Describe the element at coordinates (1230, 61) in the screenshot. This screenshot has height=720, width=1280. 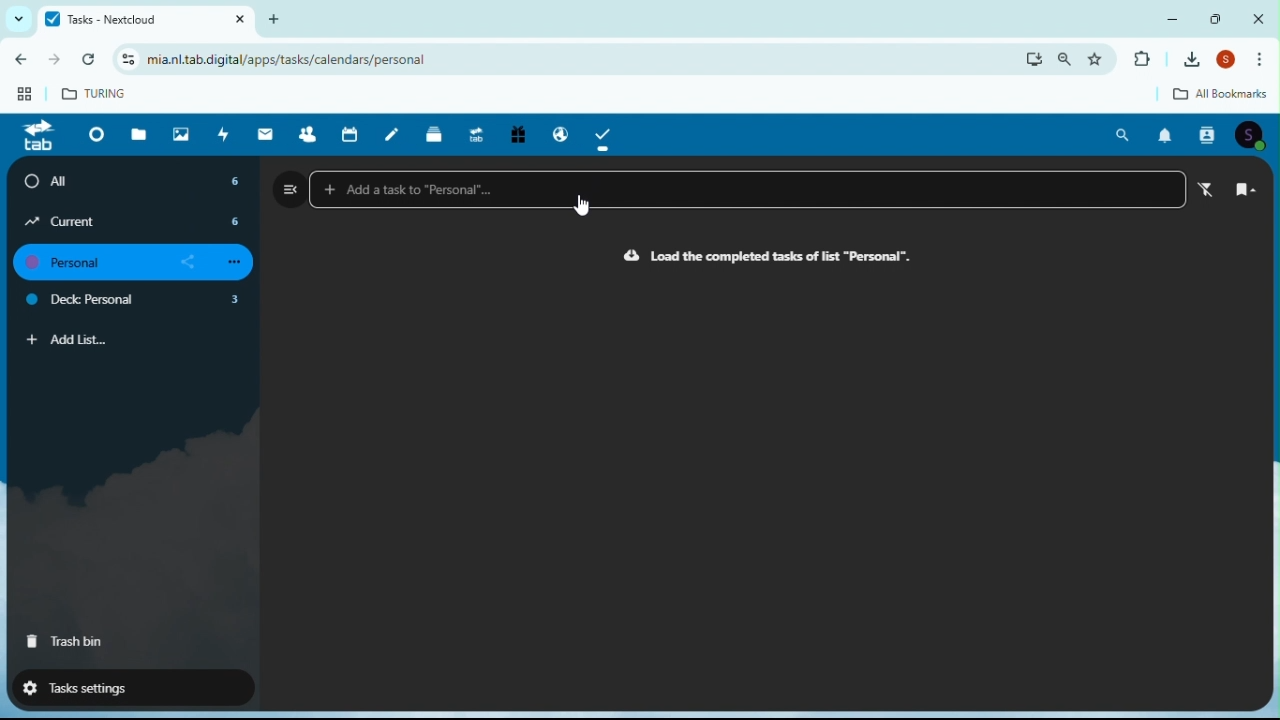
I see `Account icon` at that location.